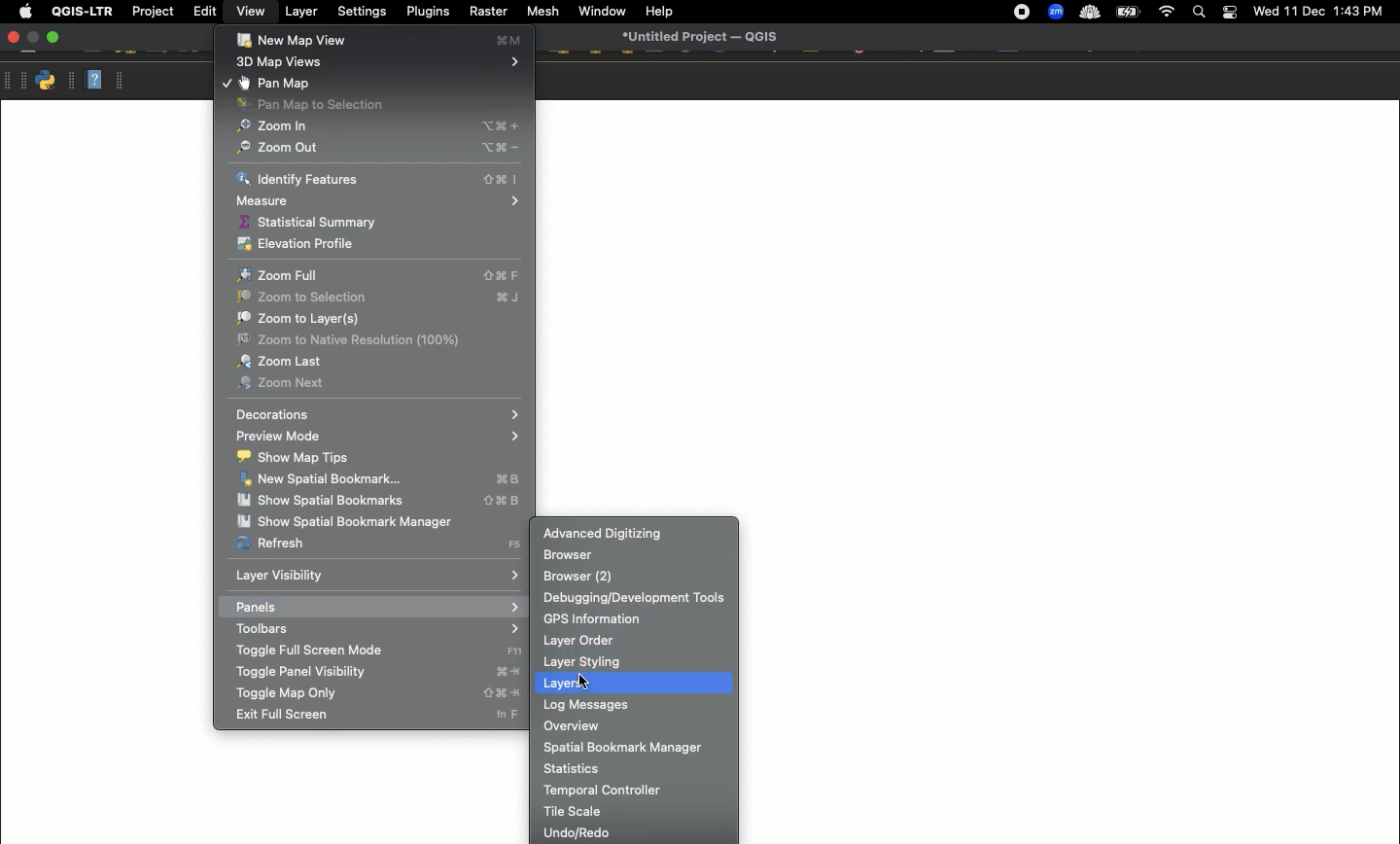 The width and height of the screenshot is (1400, 844). Describe the element at coordinates (634, 809) in the screenshot. I see `Tie scale` at that location.